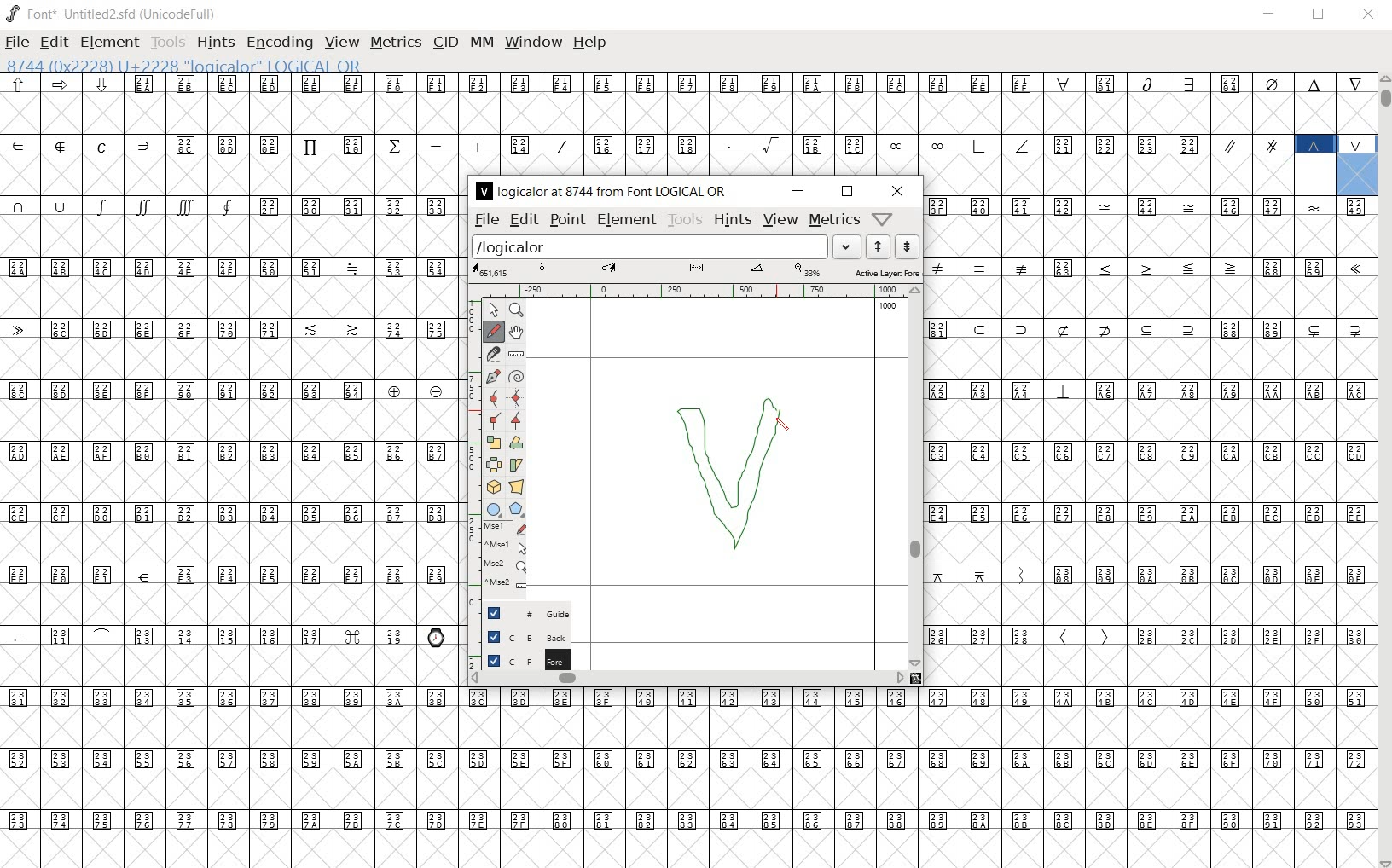  I want to click on edit, so click(55, 42).